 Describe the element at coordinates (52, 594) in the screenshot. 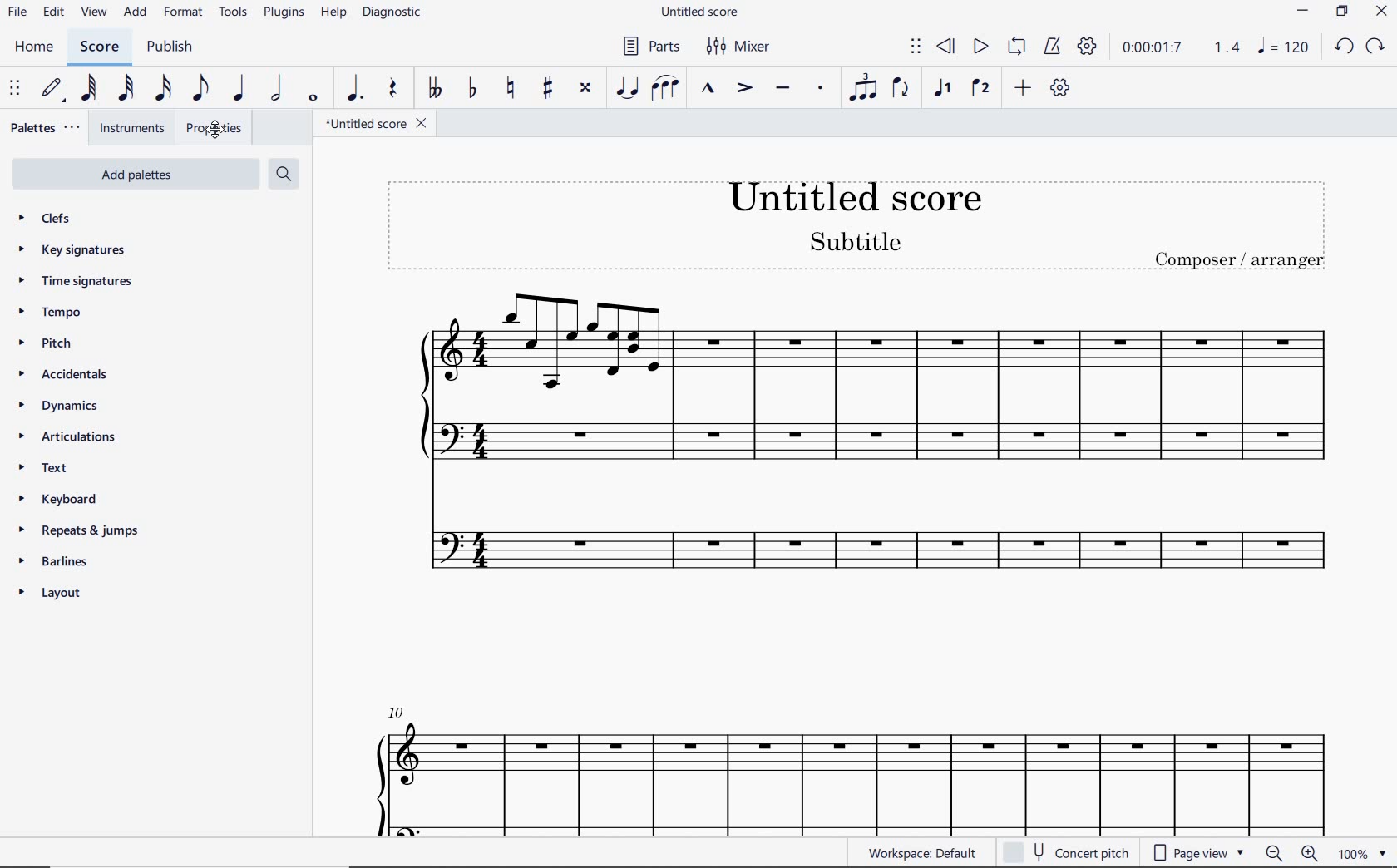

I see `layout` at that location.